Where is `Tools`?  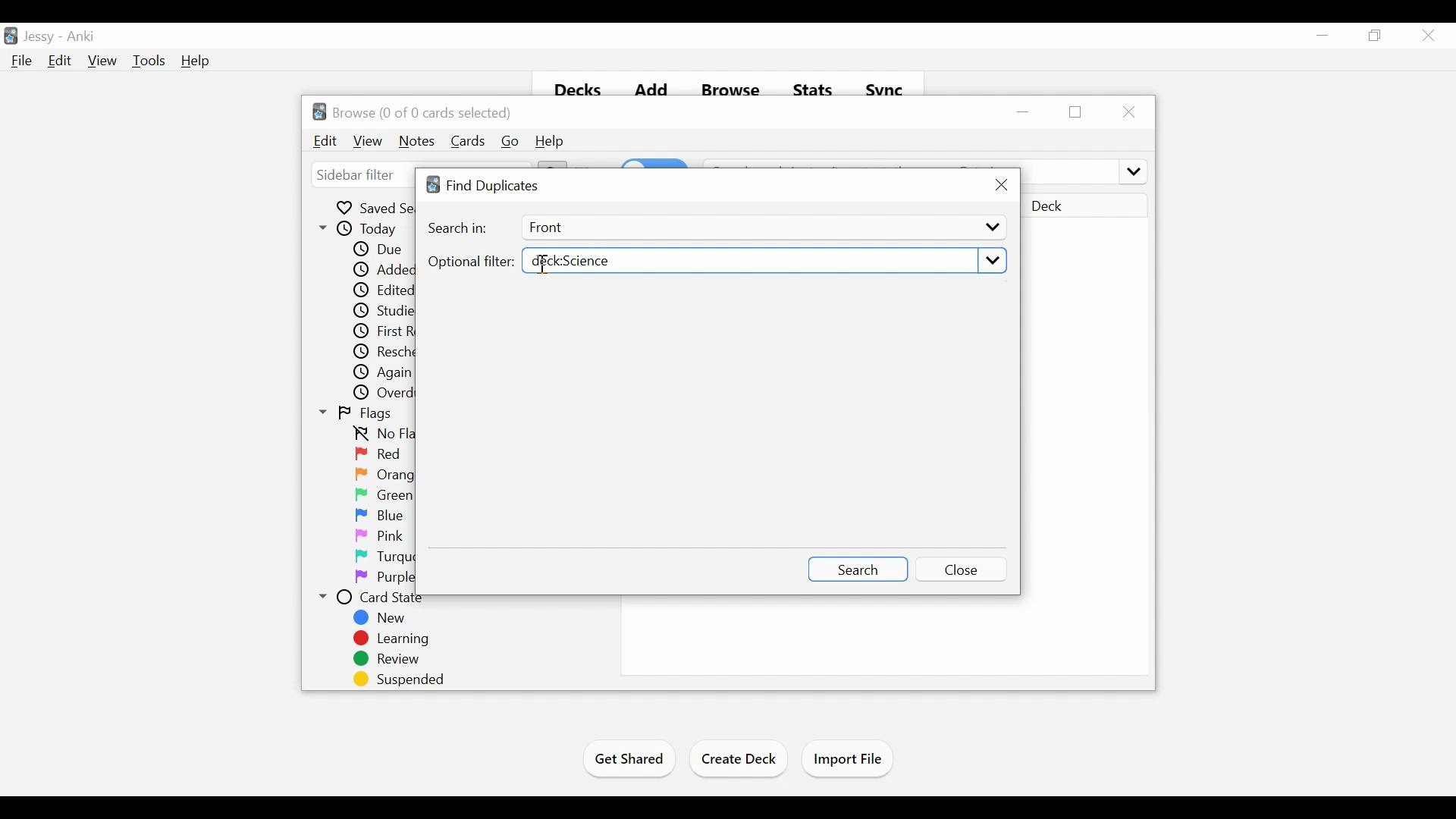 Tools is located at coordinates (148, 61).